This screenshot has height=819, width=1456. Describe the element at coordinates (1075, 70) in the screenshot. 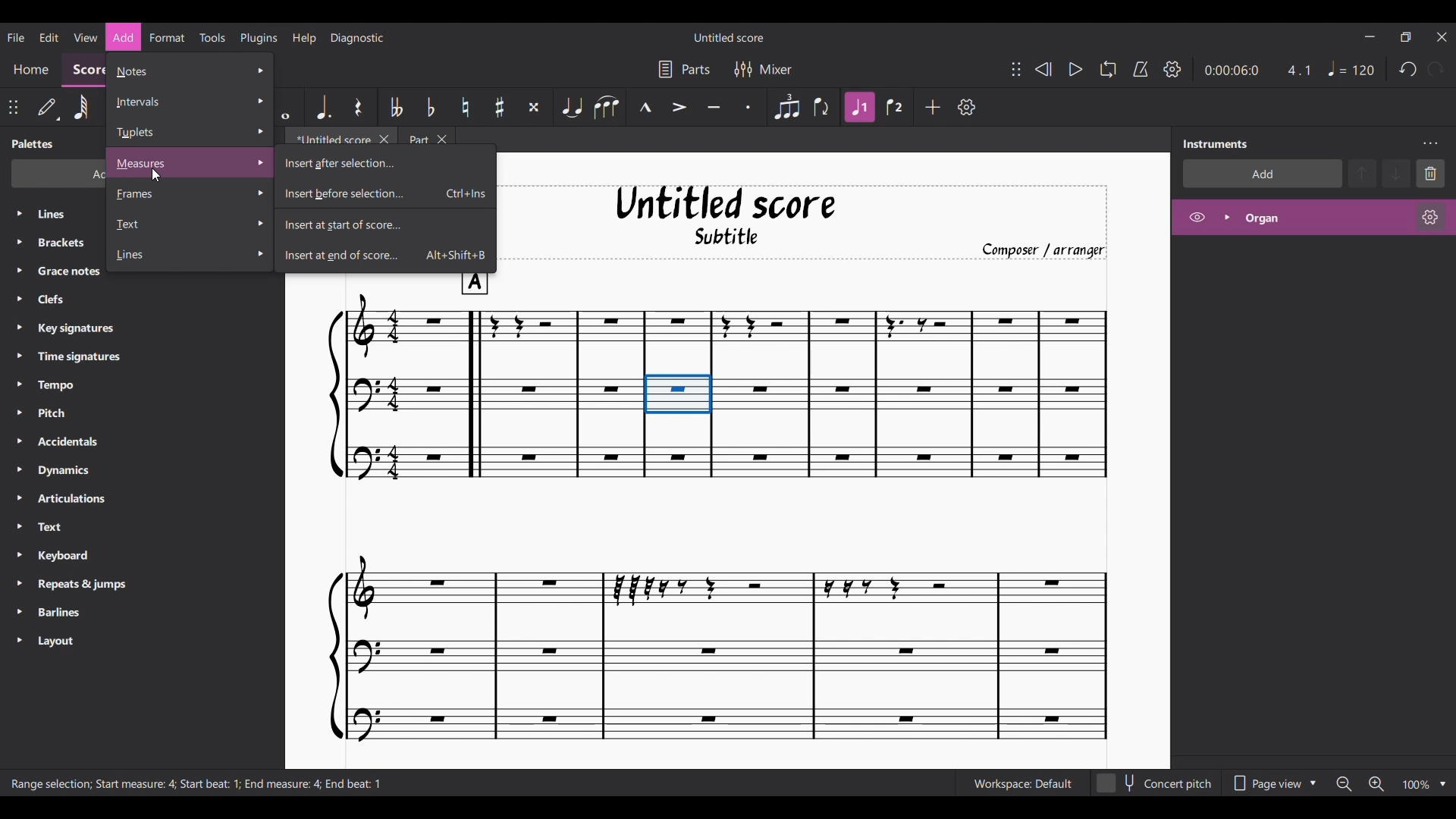

I see `Play` at that location.